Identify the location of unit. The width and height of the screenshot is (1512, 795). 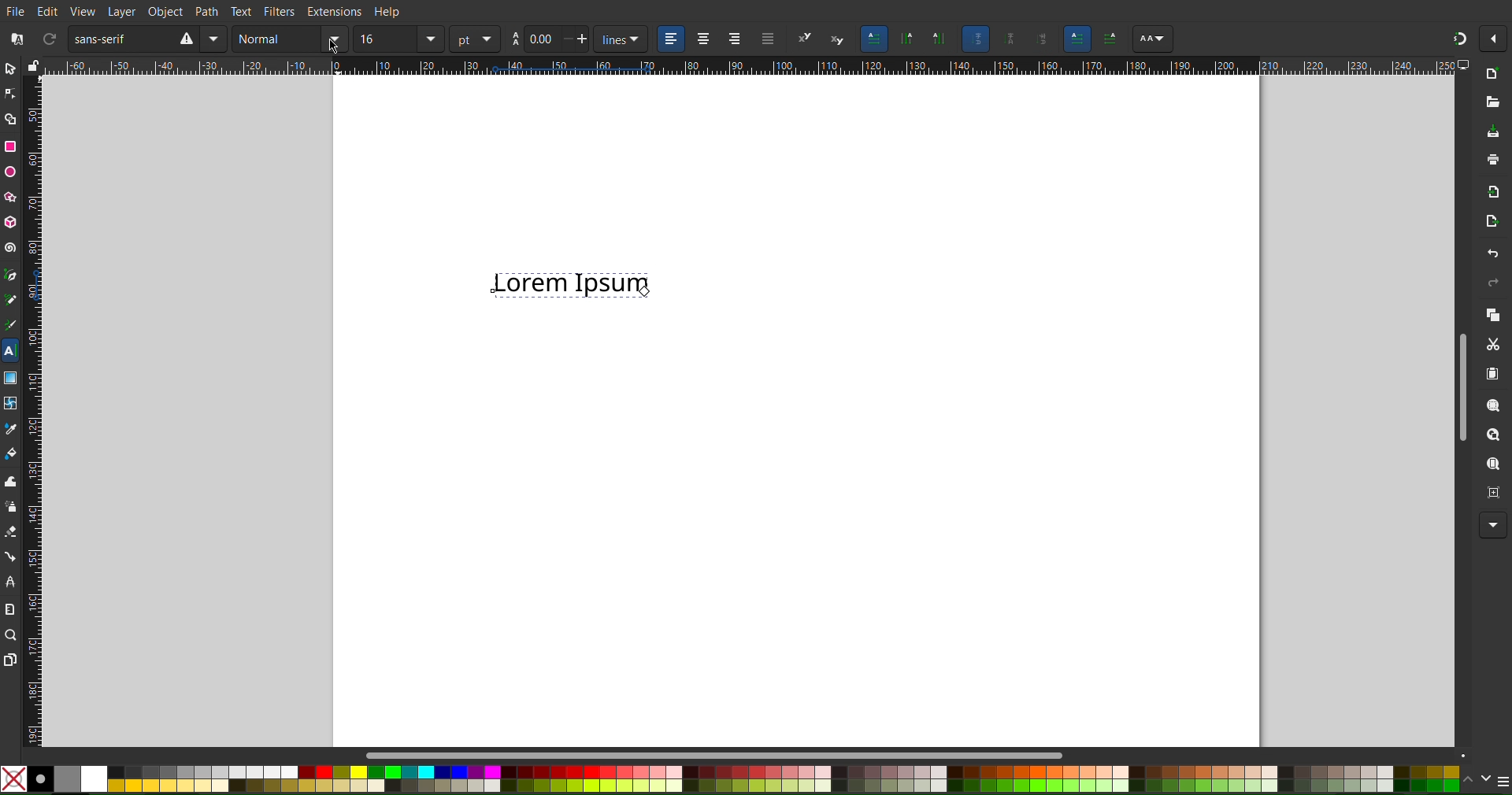
(620, 39).